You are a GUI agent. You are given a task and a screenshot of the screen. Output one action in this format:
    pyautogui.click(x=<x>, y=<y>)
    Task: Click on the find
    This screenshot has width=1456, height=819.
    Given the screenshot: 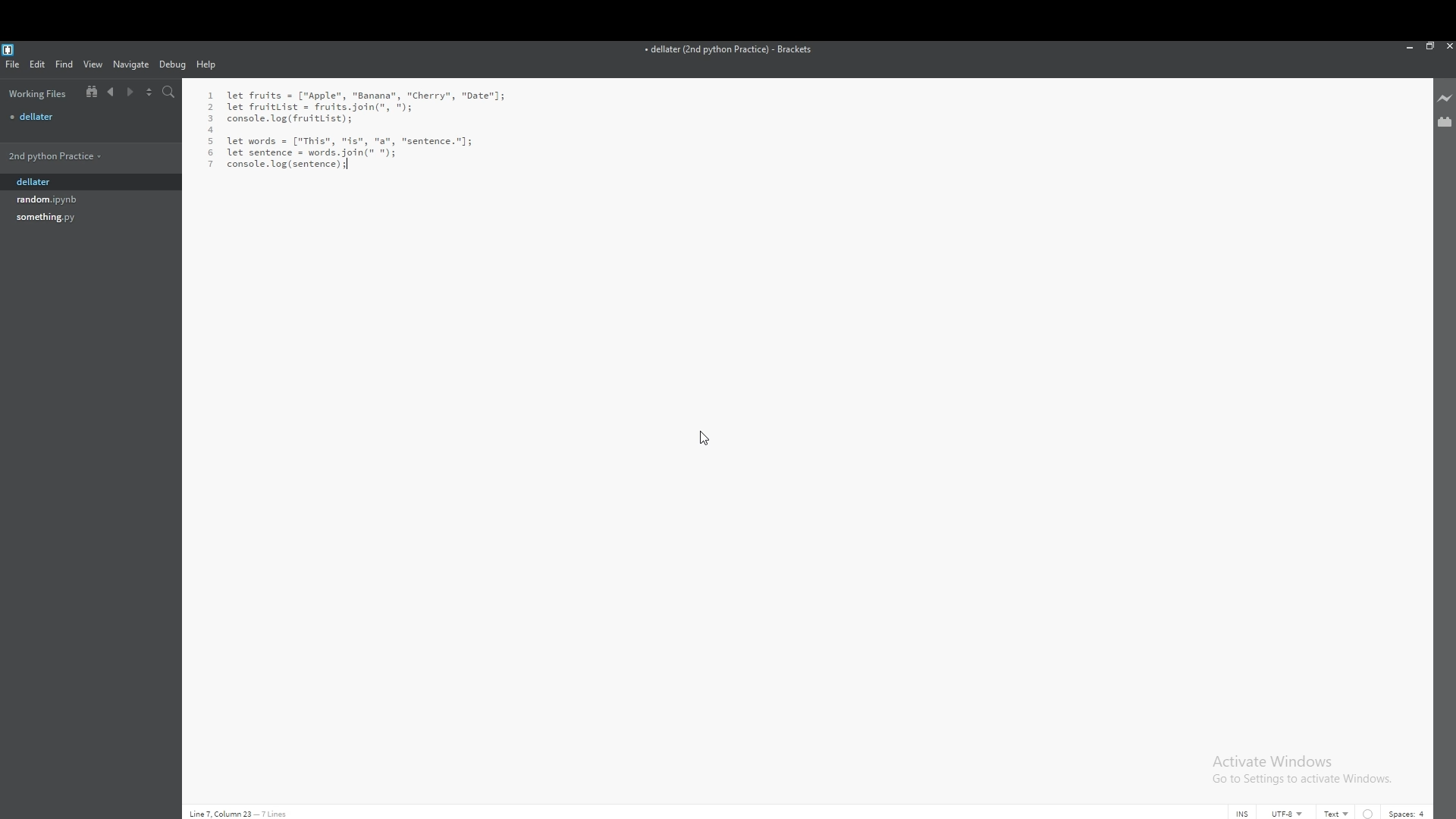 What is the action you would take?
    pyautogui.click(x=65, y=64)
    